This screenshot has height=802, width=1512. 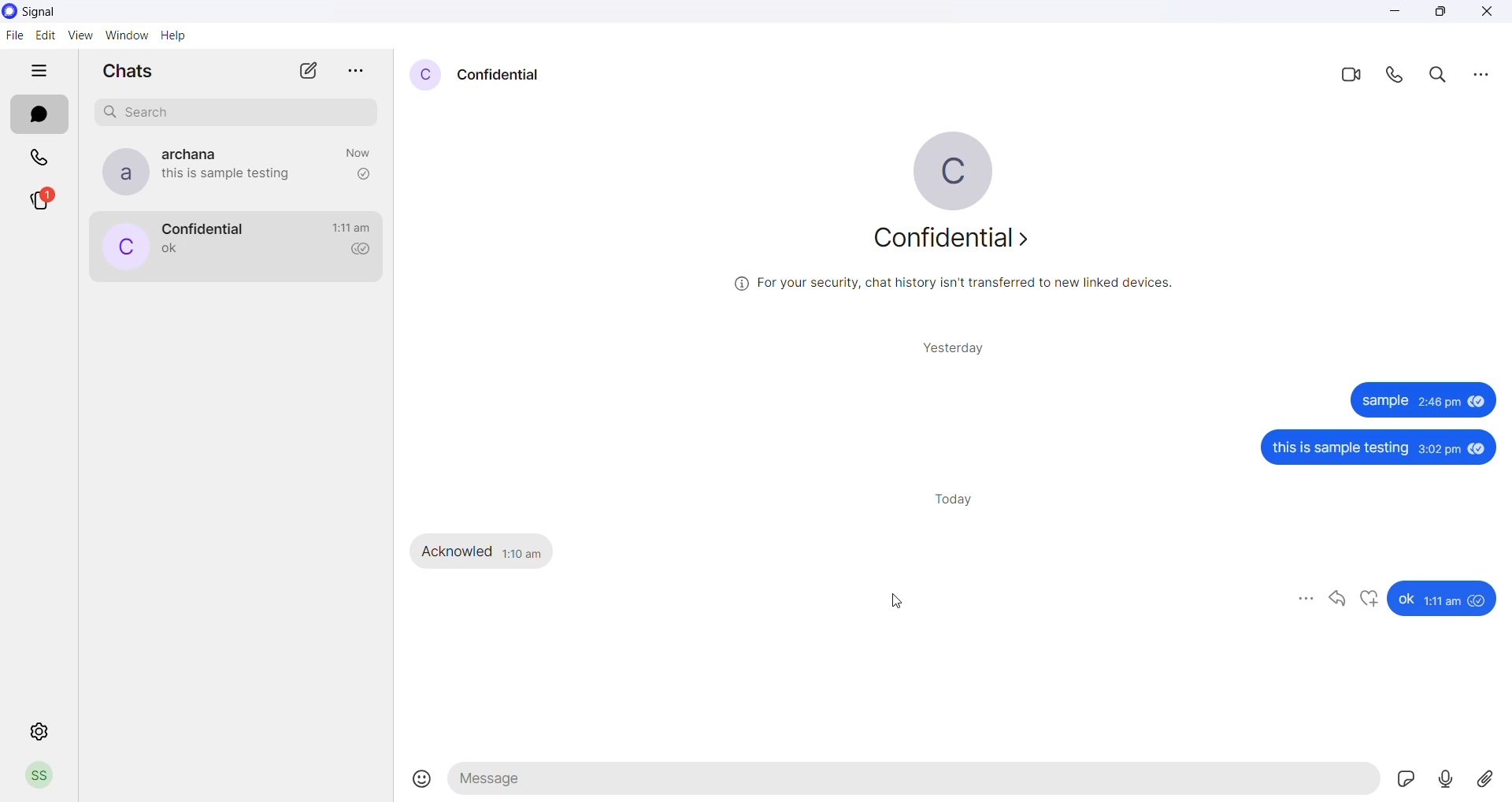 I want to click on last message time, so click(x=351, y=228).